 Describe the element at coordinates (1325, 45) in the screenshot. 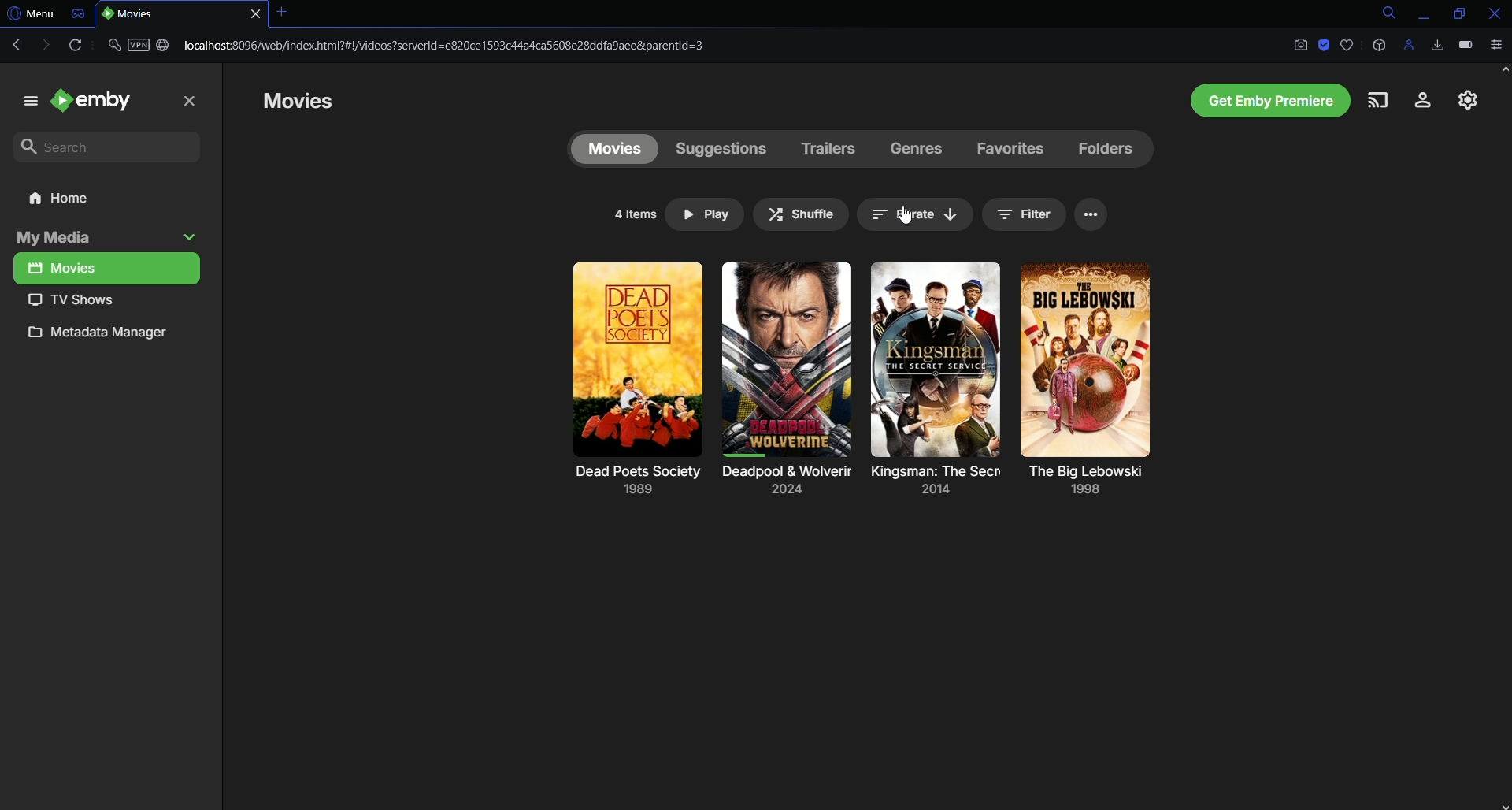

I see `Adblock` at that location.